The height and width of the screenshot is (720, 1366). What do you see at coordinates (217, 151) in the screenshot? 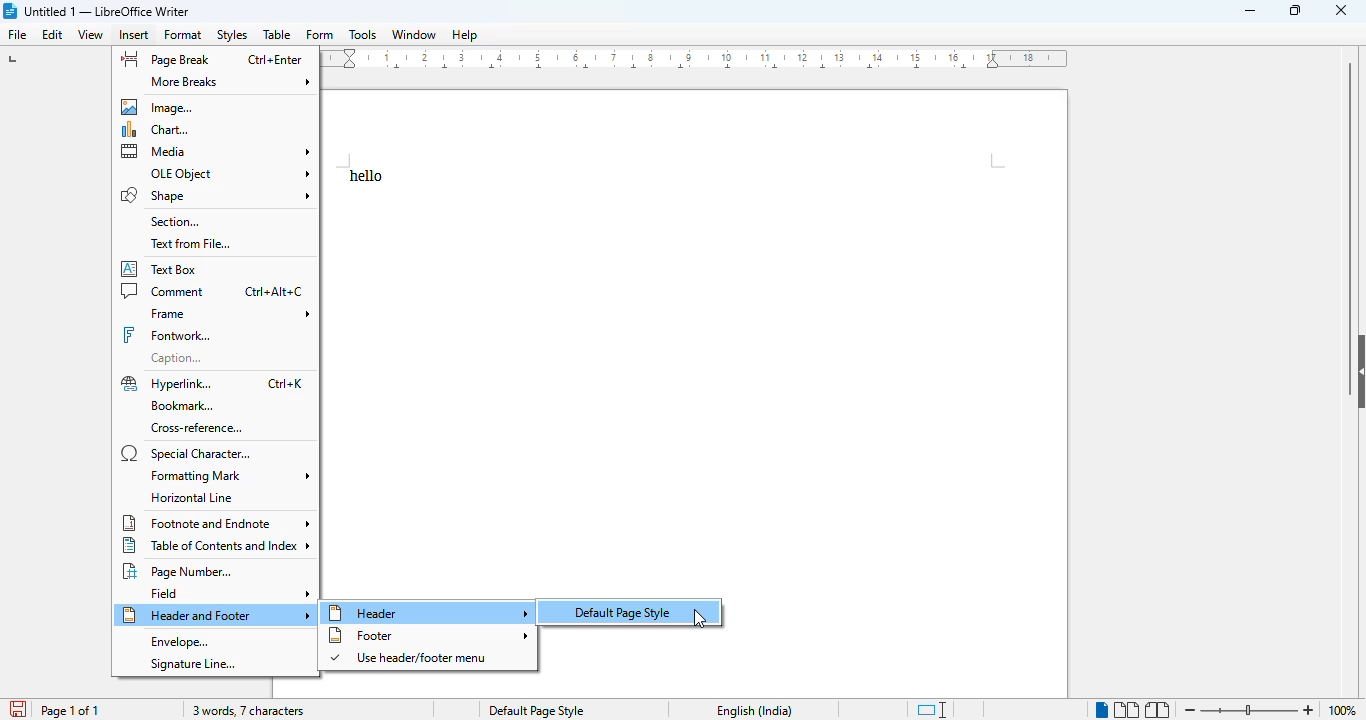
I see `media` at bounding box center [217, 151].